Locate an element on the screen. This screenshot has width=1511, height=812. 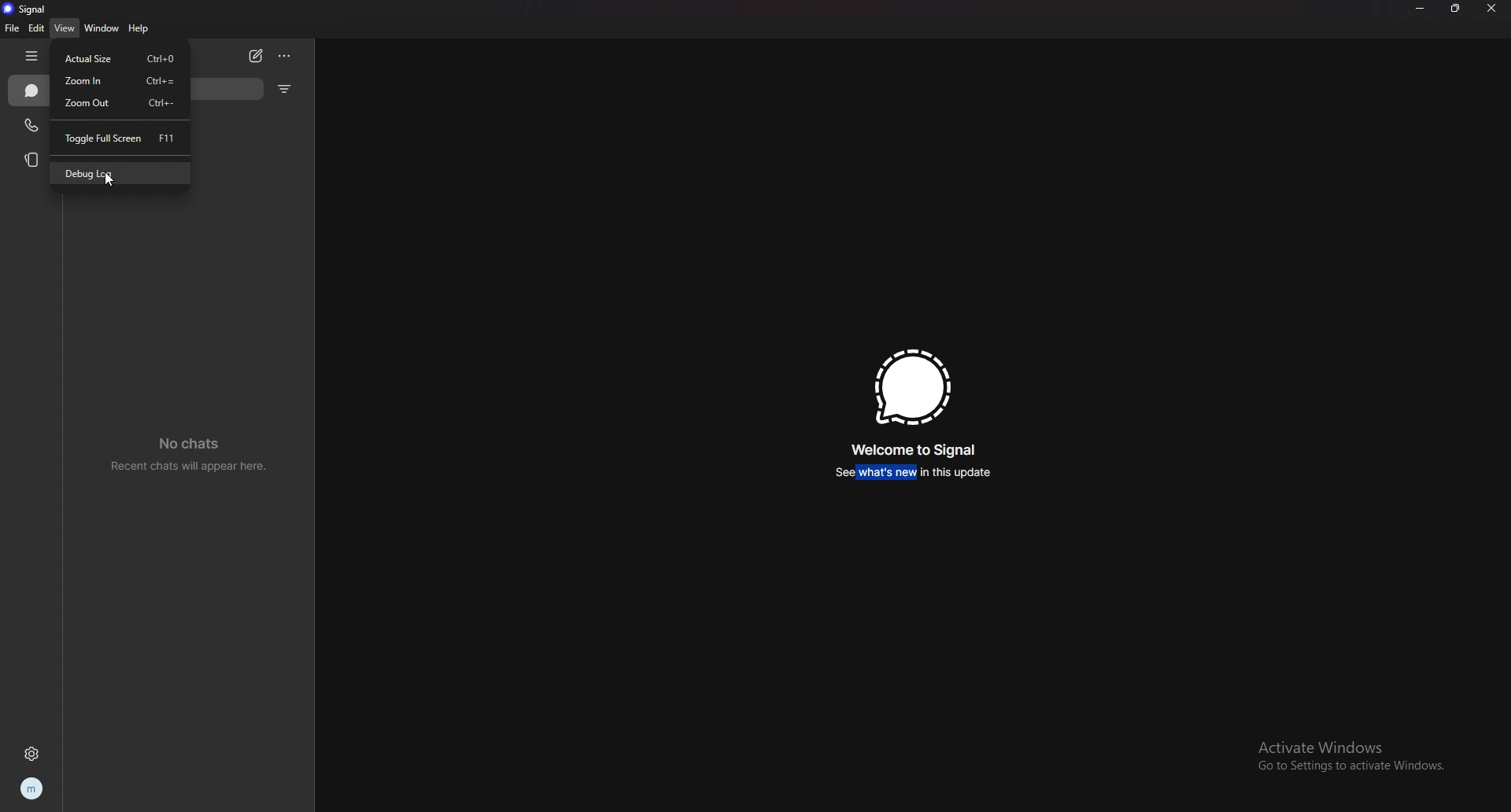
edit is located at coordinates (36, 28).